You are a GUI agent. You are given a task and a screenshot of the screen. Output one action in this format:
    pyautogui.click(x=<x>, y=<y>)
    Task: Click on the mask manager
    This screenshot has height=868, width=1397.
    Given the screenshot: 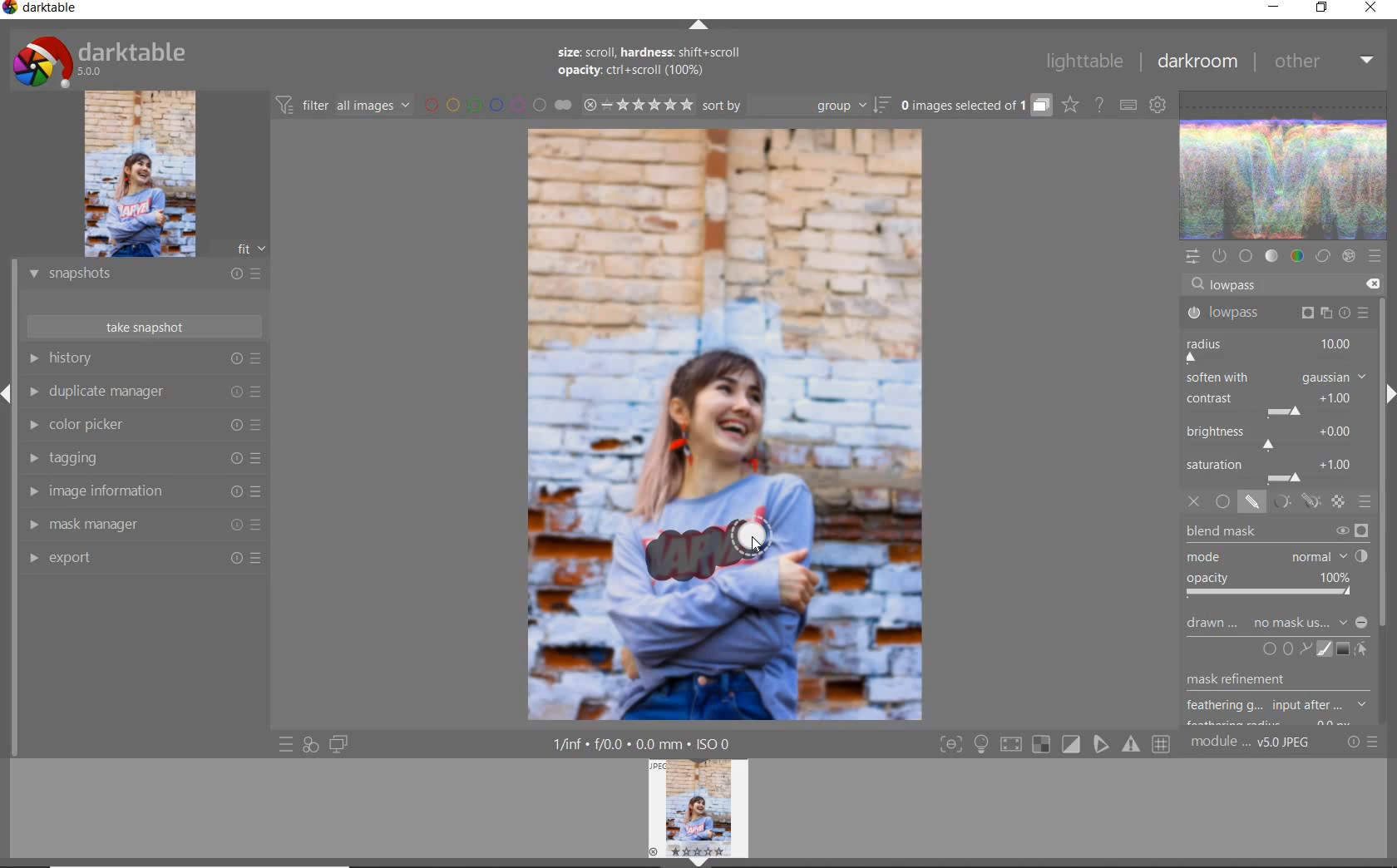 What is the action you would take?
    pyautogui.click(x=143, y=526)
    